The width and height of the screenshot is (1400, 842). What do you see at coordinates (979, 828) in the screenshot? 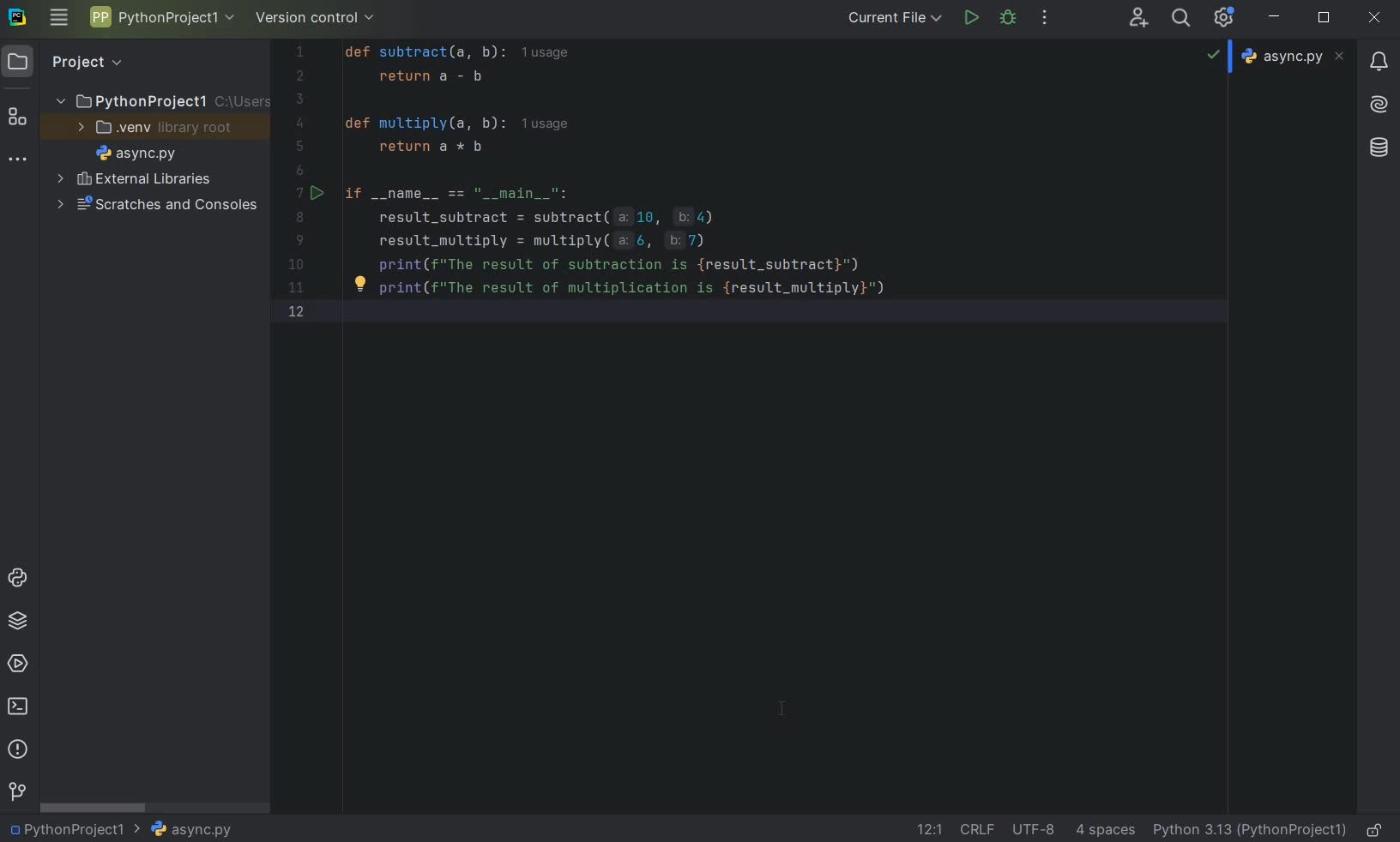
I see `LINE SEPARATOR` at bounding box center [979, 828].